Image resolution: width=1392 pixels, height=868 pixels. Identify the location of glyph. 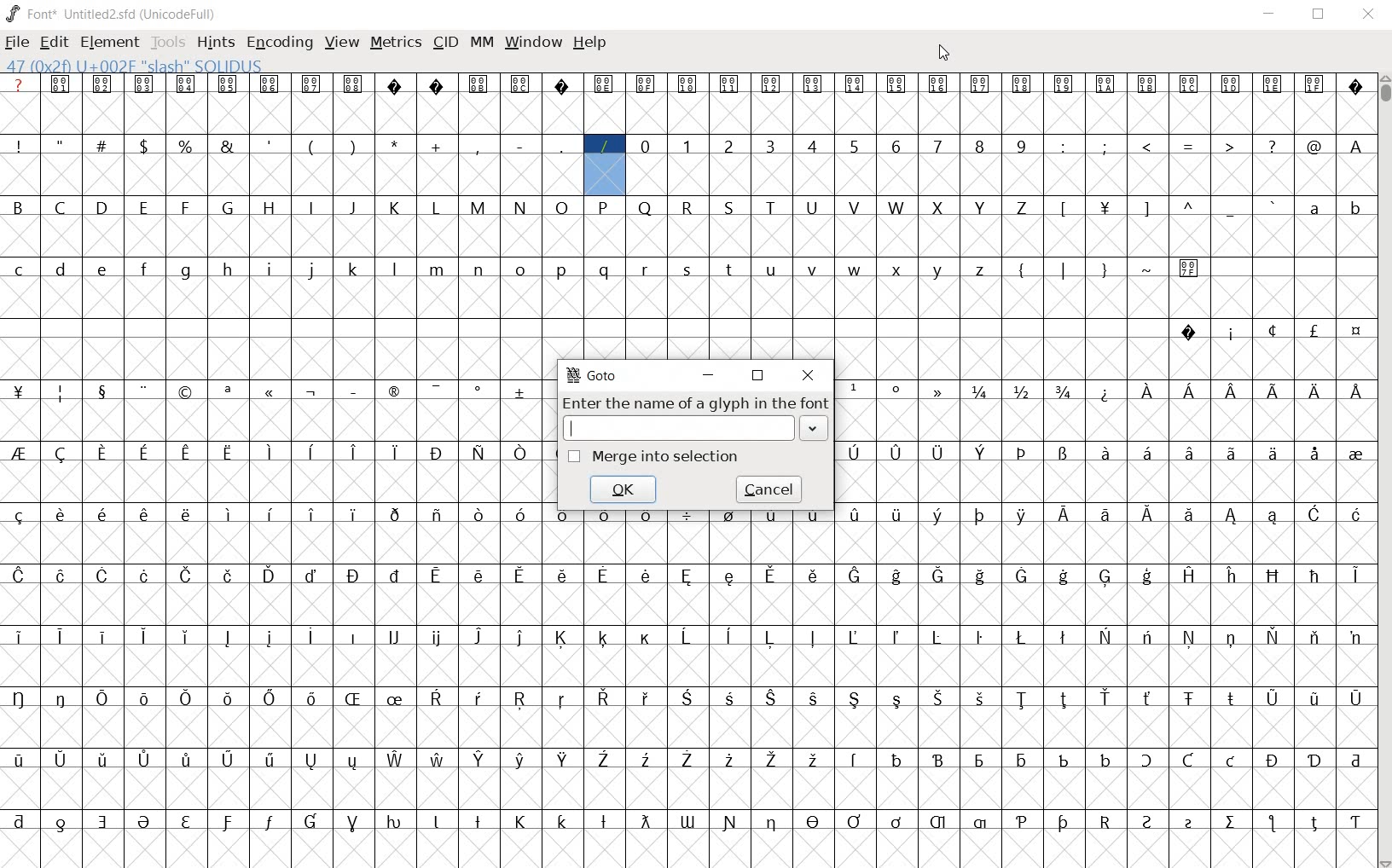
(1231, 639).